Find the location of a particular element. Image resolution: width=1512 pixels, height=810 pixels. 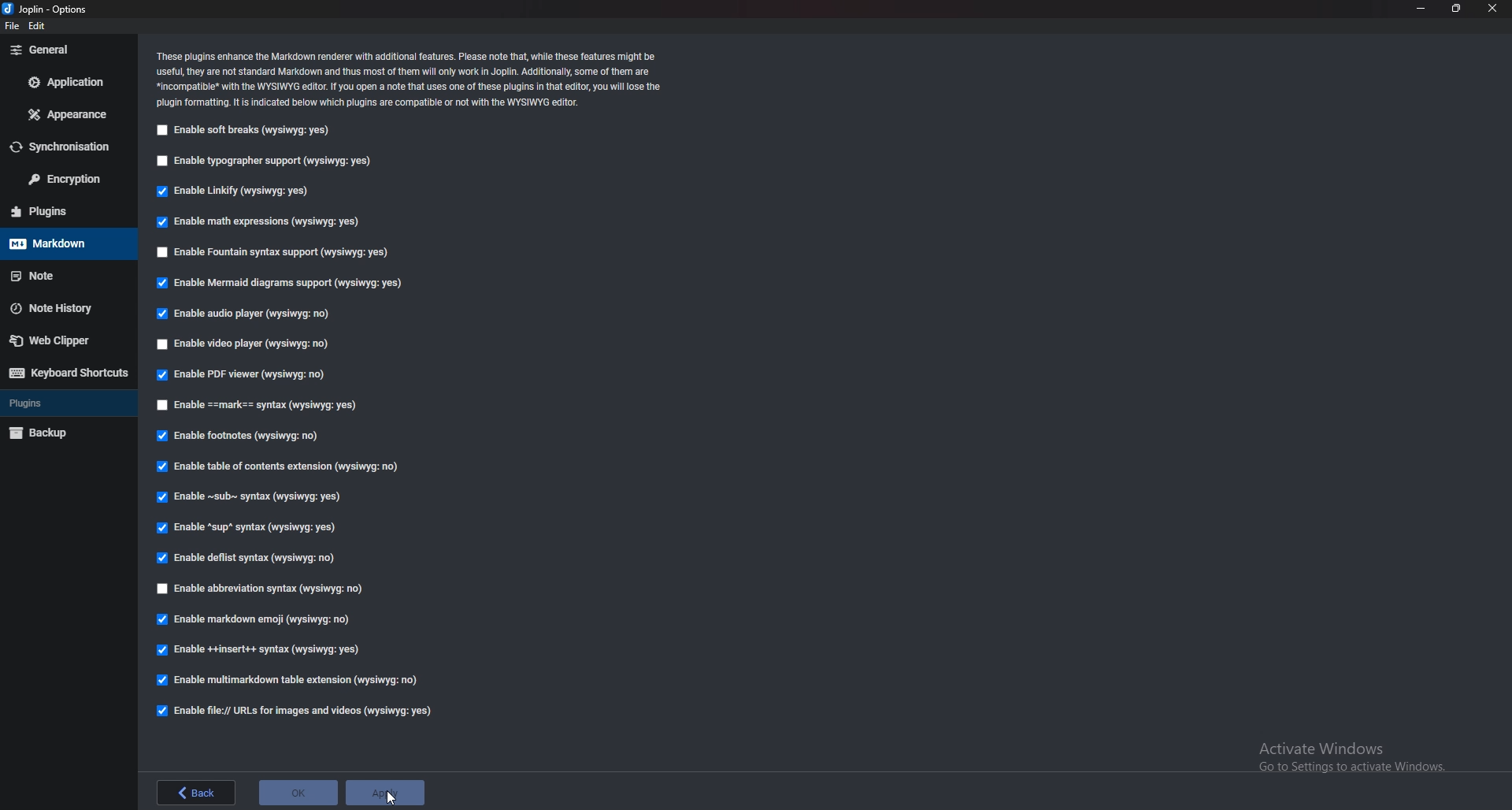

Enable markdown emoji is located at coordinates (258, 619).